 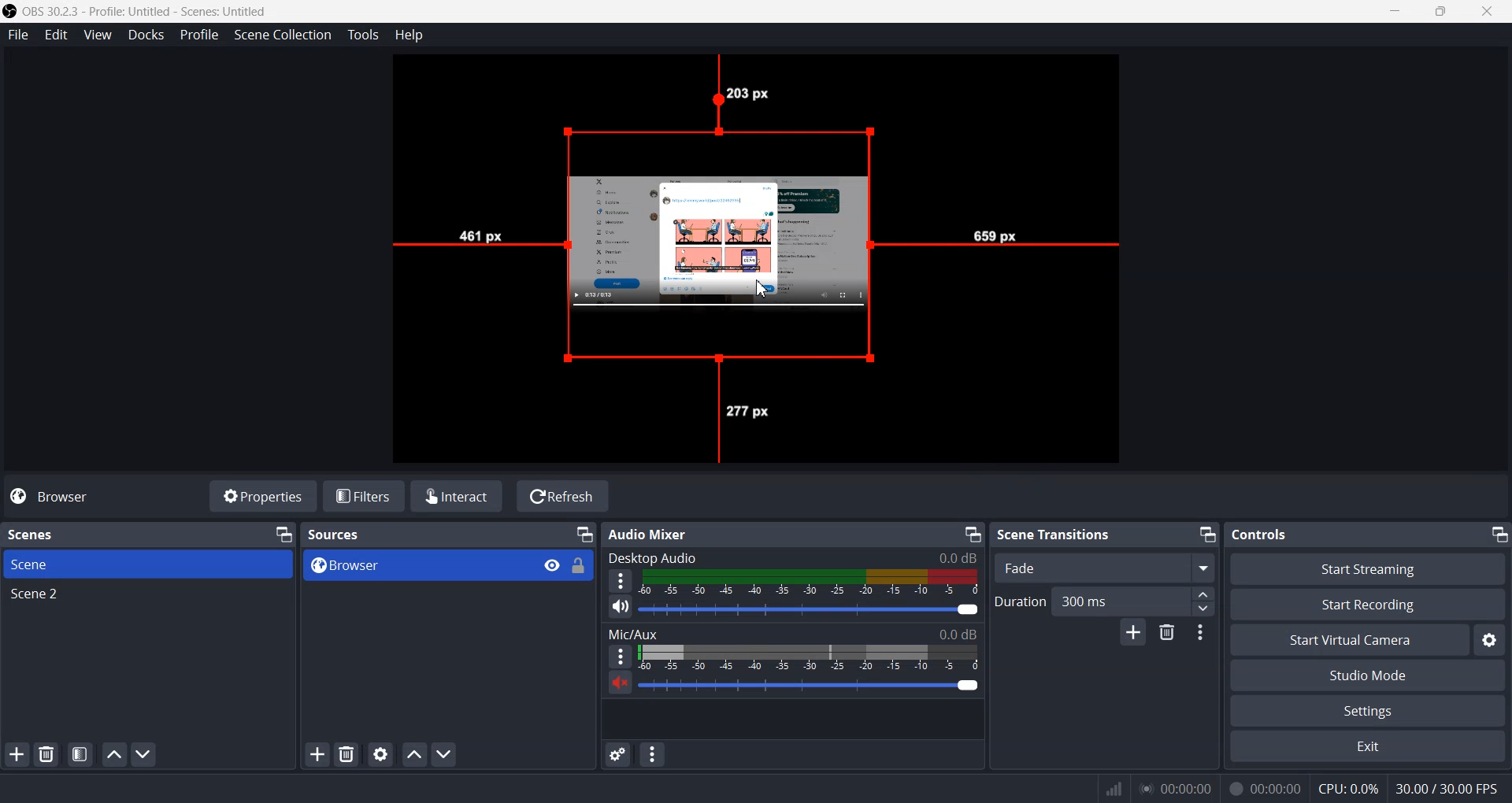 What do you see at coordinates (54, 35) in the screenshot?
I see `Edit` at bounding box center [54, 35].